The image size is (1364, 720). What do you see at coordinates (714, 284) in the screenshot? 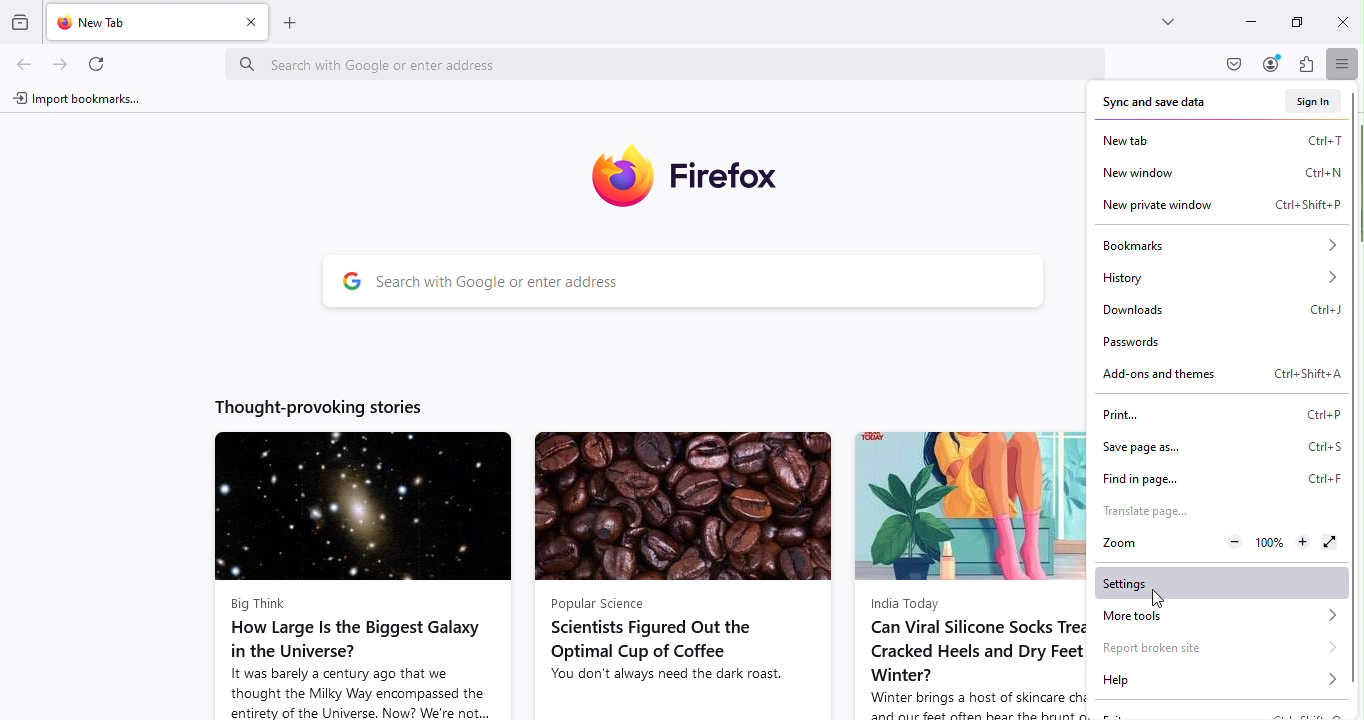
I see `Search bar` at bounding box center [714, 284].